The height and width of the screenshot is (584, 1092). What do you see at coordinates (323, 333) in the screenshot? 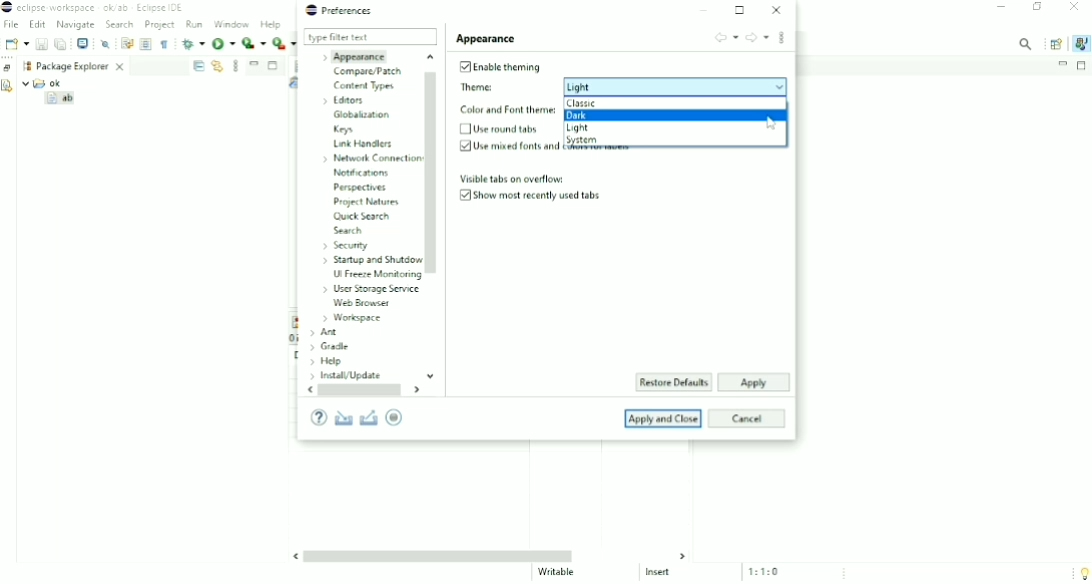
I see `Ant` at bounding box center [323, 333].